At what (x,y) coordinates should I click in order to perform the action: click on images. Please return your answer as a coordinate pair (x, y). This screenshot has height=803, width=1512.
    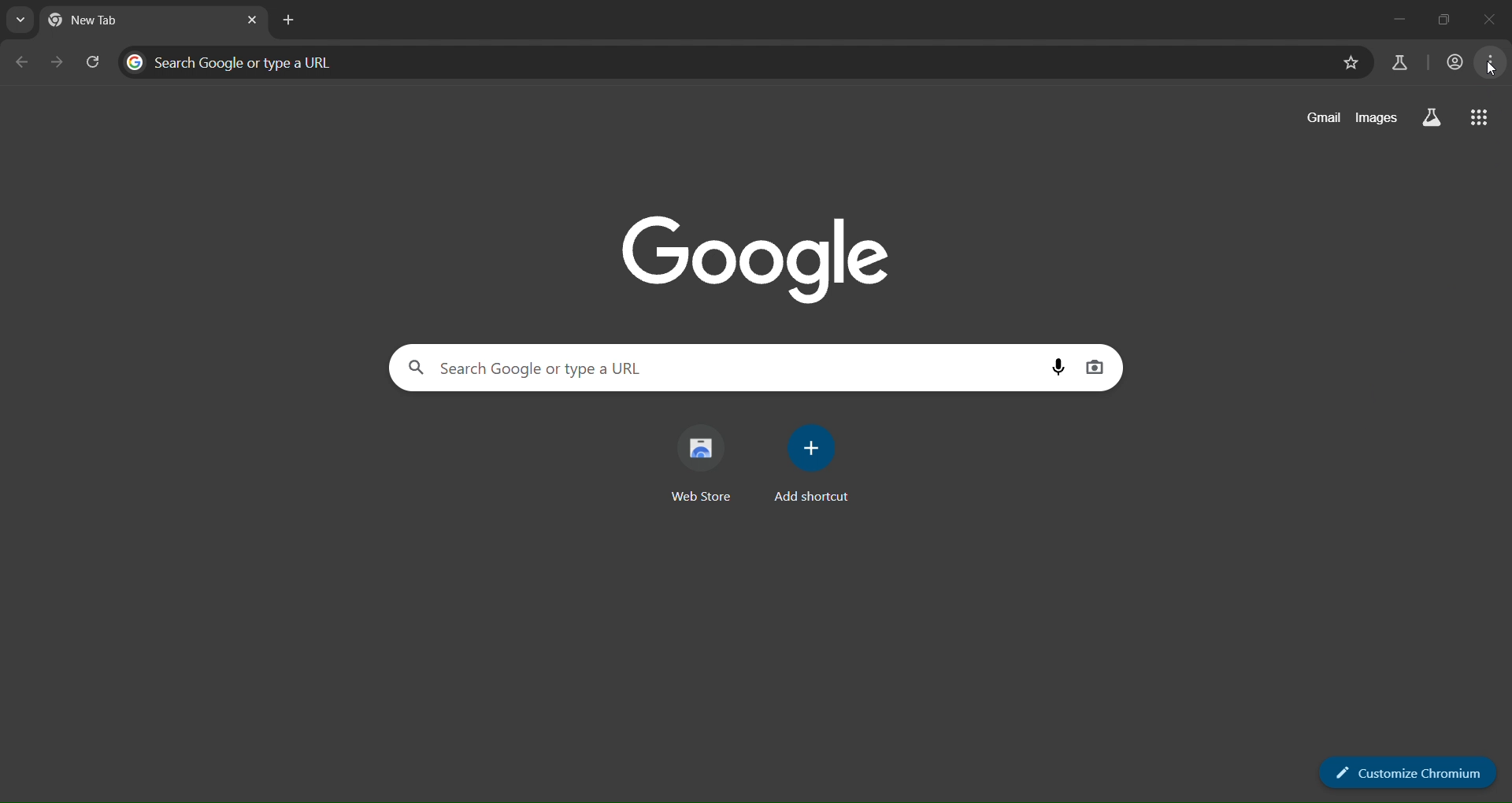
    Looking at the image, I should click on (1377, 117).